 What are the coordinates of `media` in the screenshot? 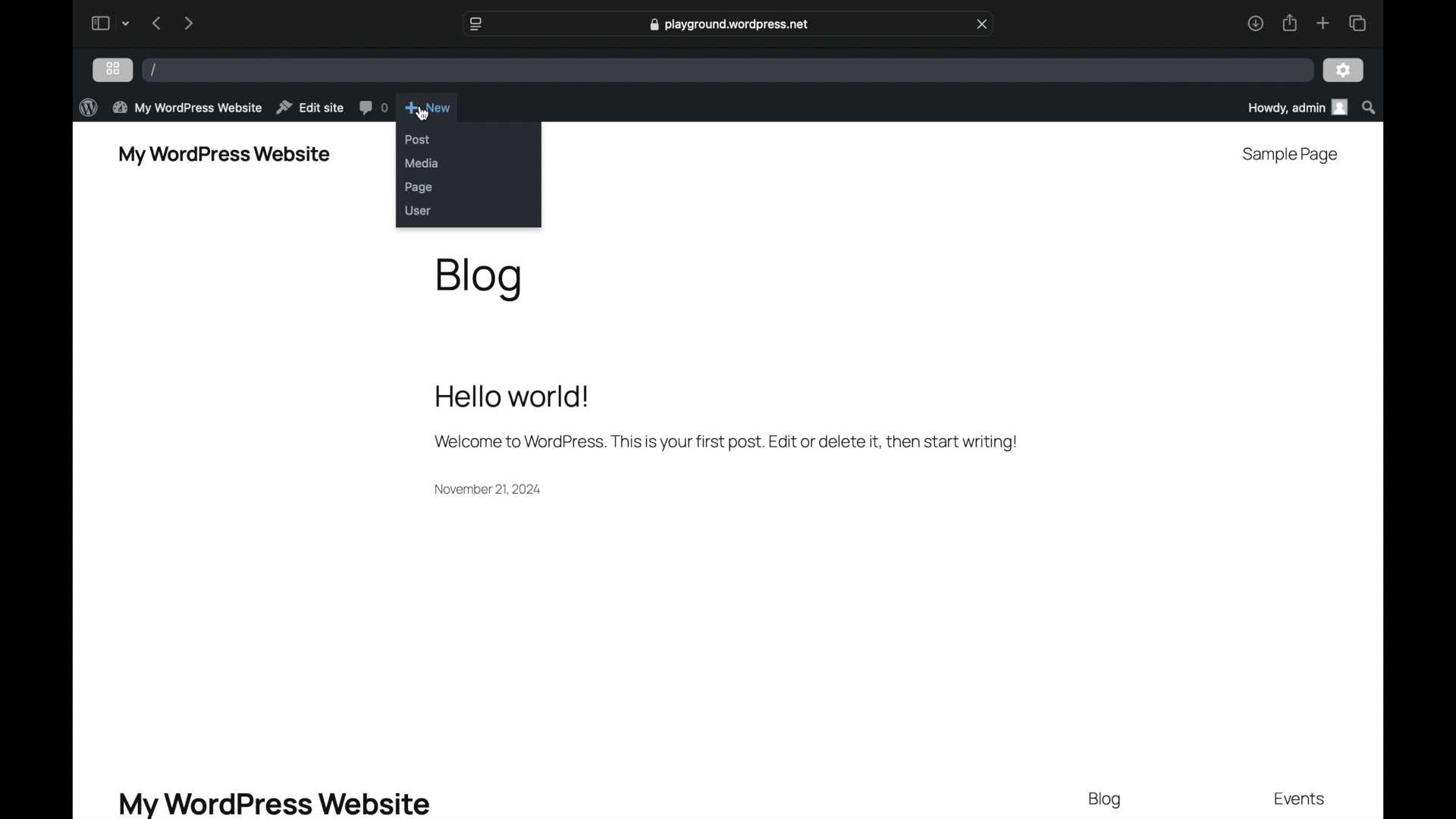 It's located at (422, 163).